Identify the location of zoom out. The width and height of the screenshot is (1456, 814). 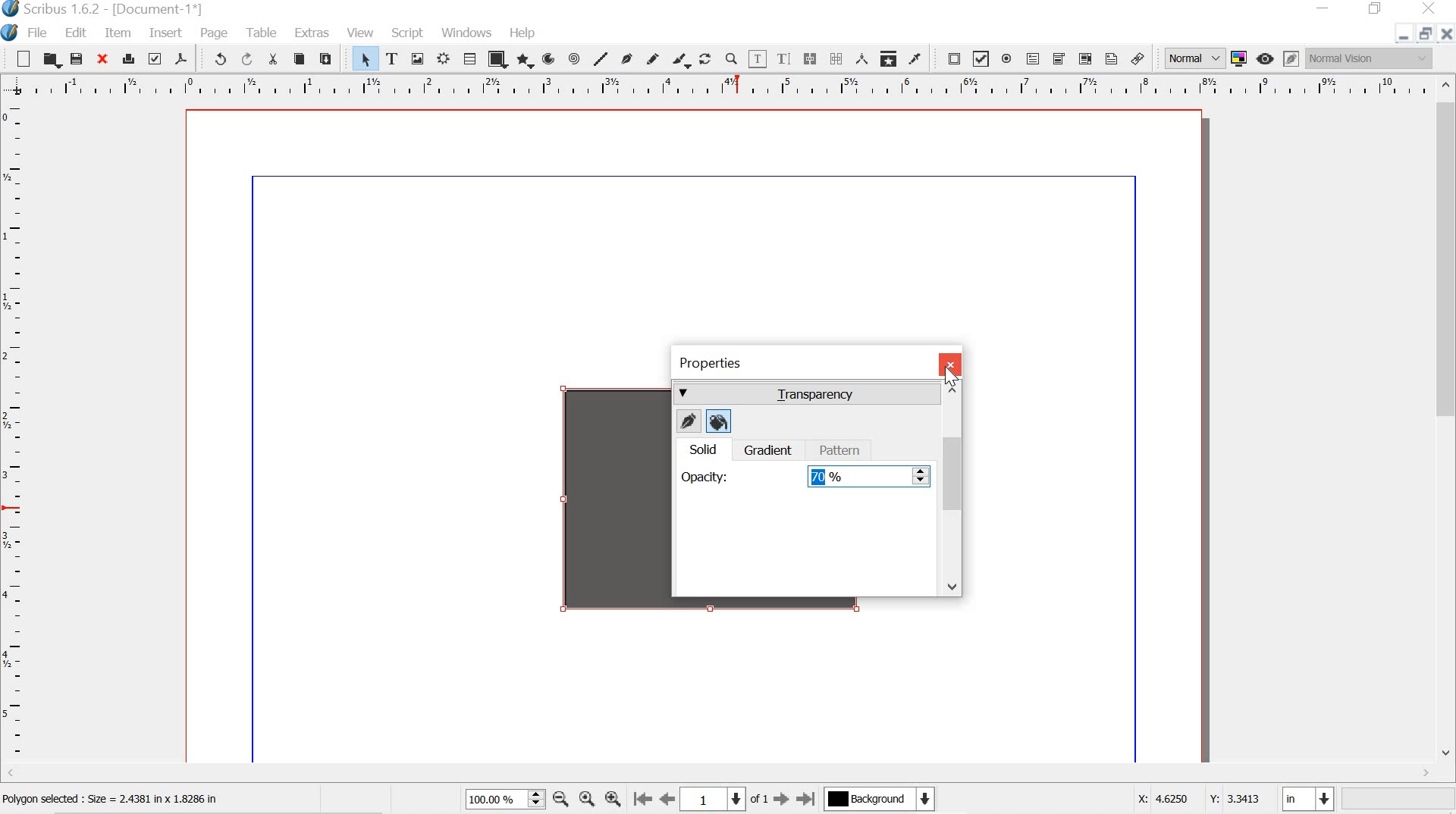
(560, 800).